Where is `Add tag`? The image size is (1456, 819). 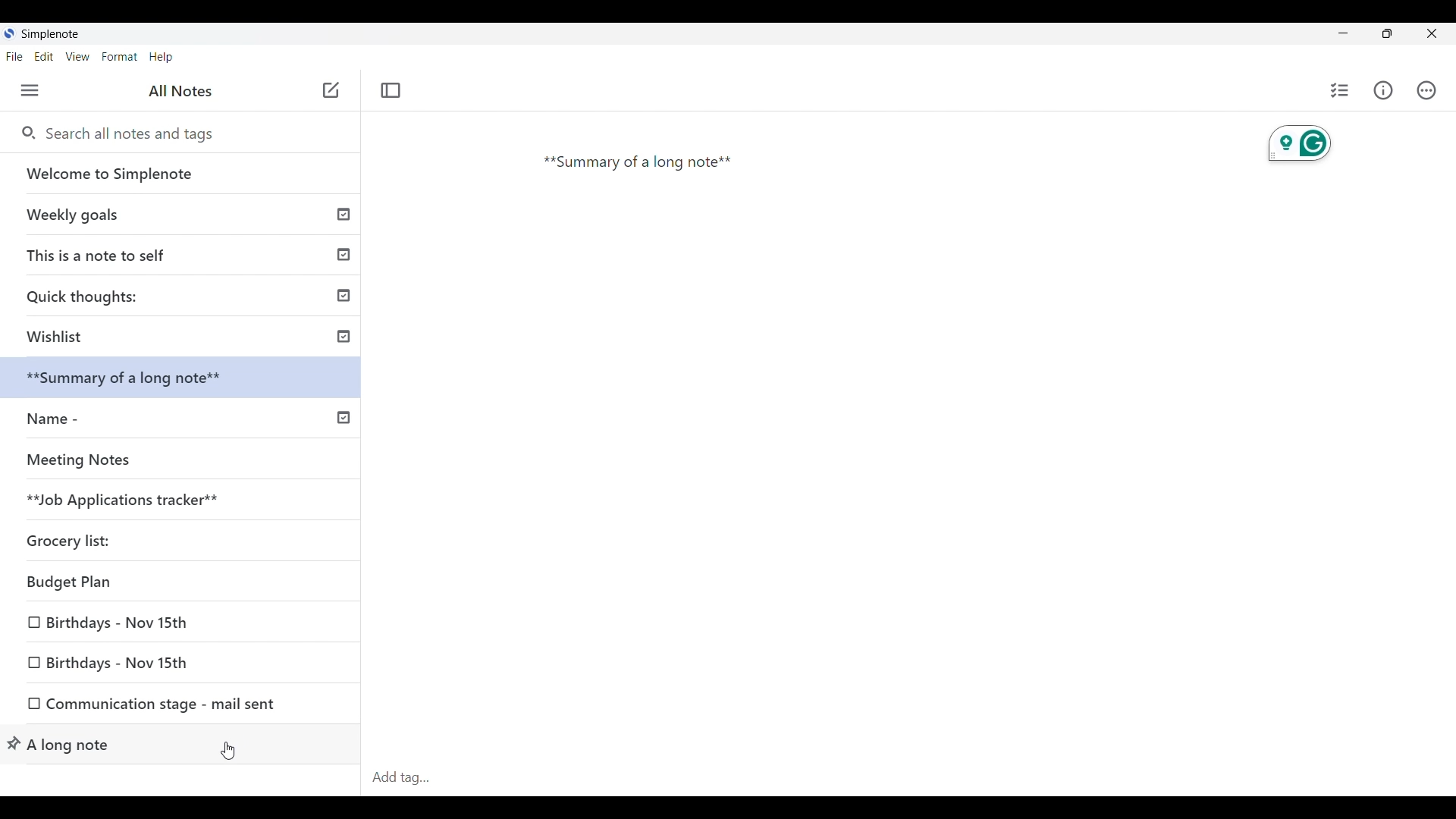
Add tag is located at coordinates (403, 778).